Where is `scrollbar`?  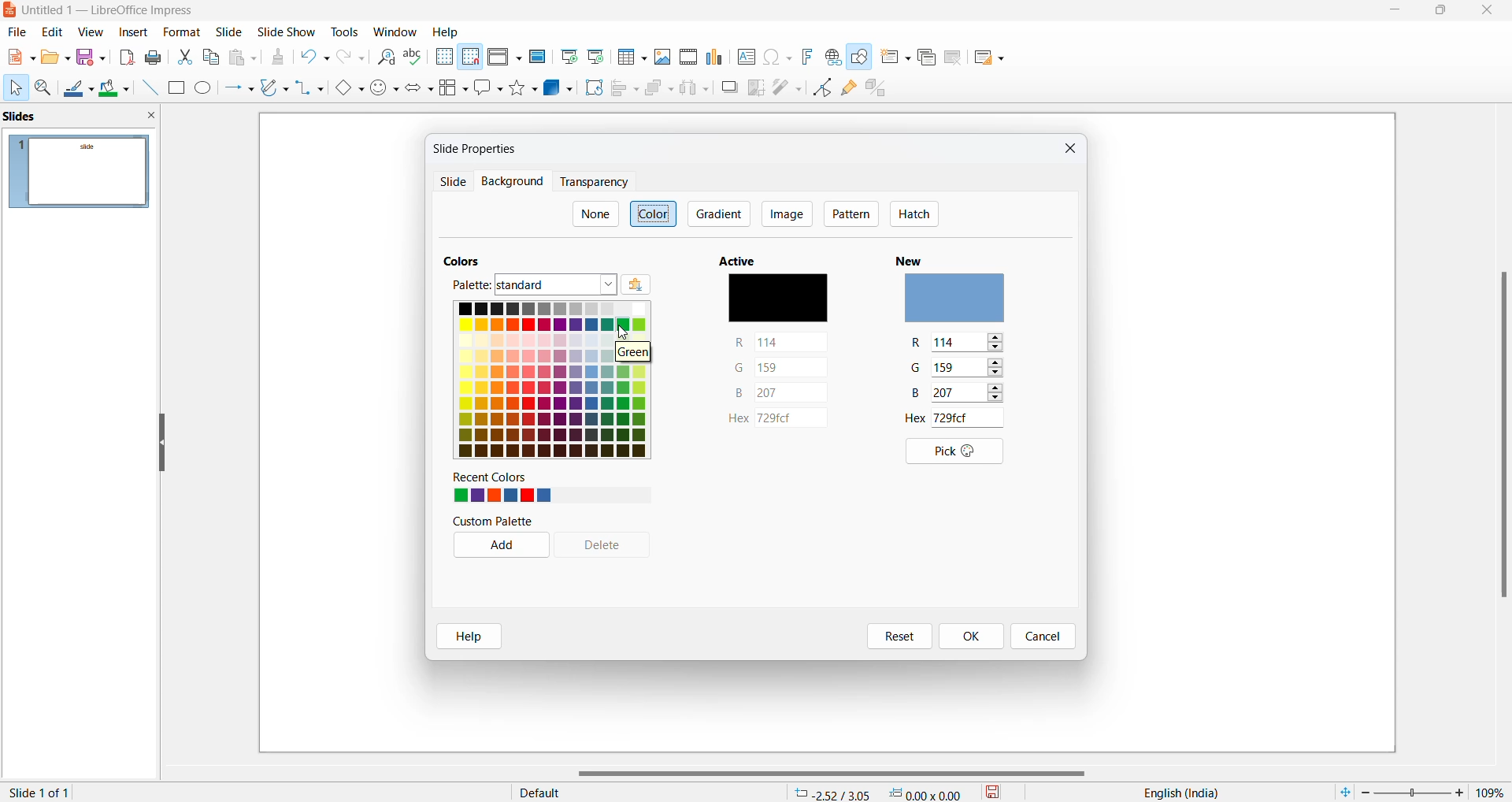 scrollbar is located at coordinates (839, 774).